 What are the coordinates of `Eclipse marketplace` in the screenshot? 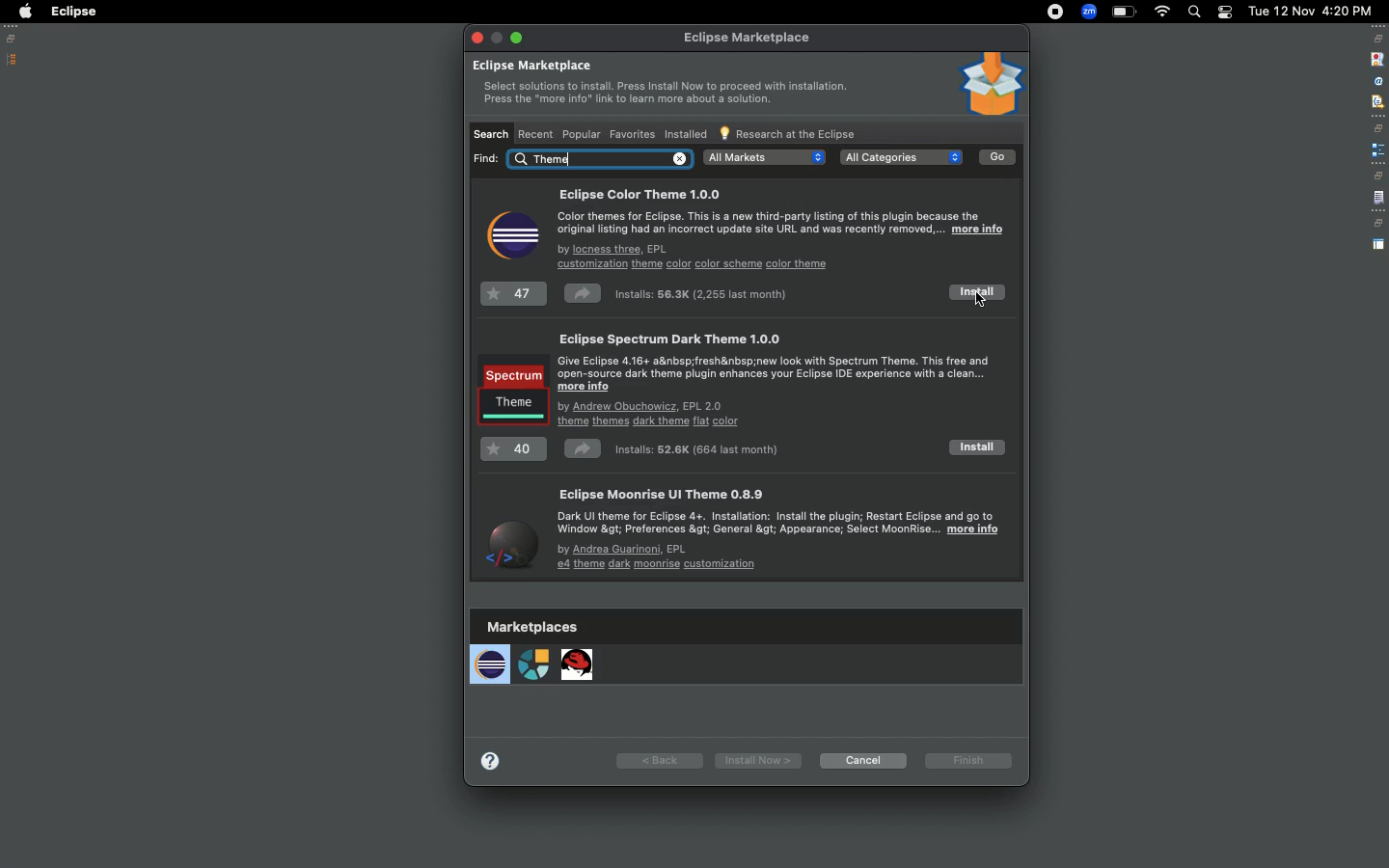 It's located at (659, 86).